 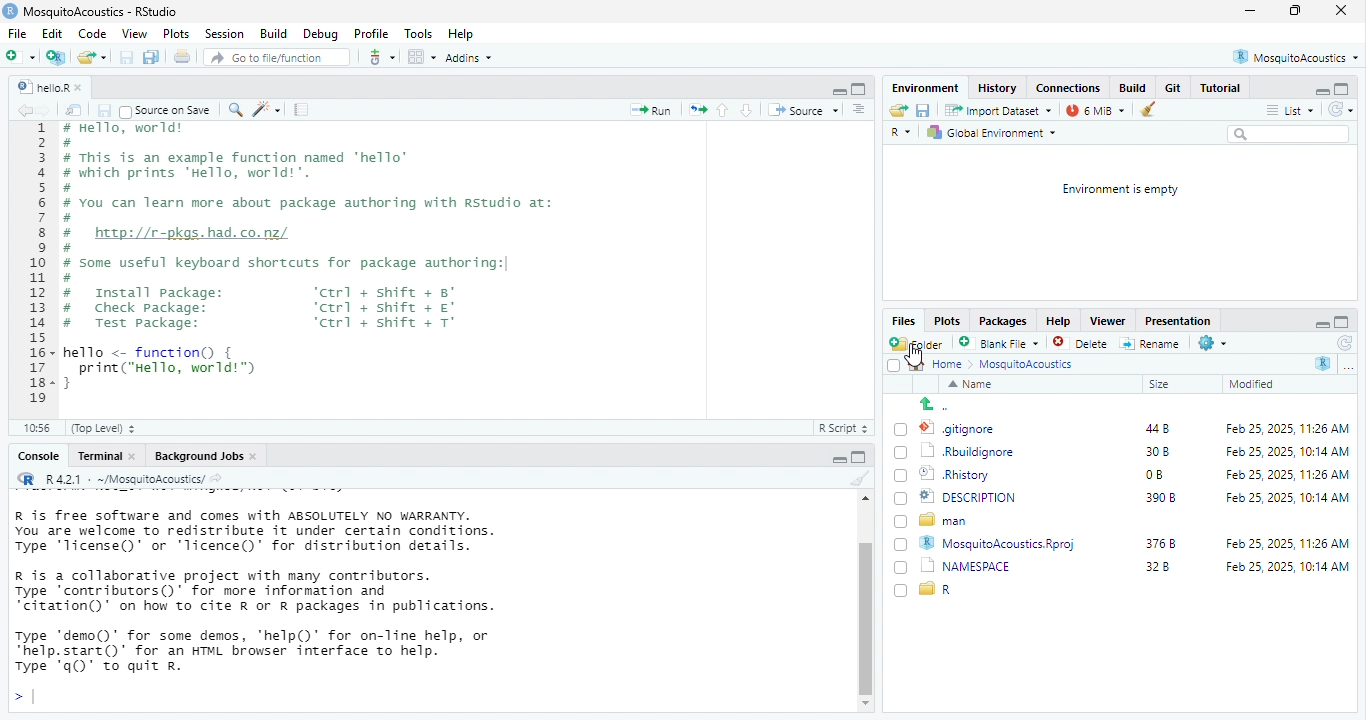 What do you see at coordinates (1005, 543) in the screenshot?
I see ` MosquitoAcoustics.Rproj` at bounding box center [1005, 543].